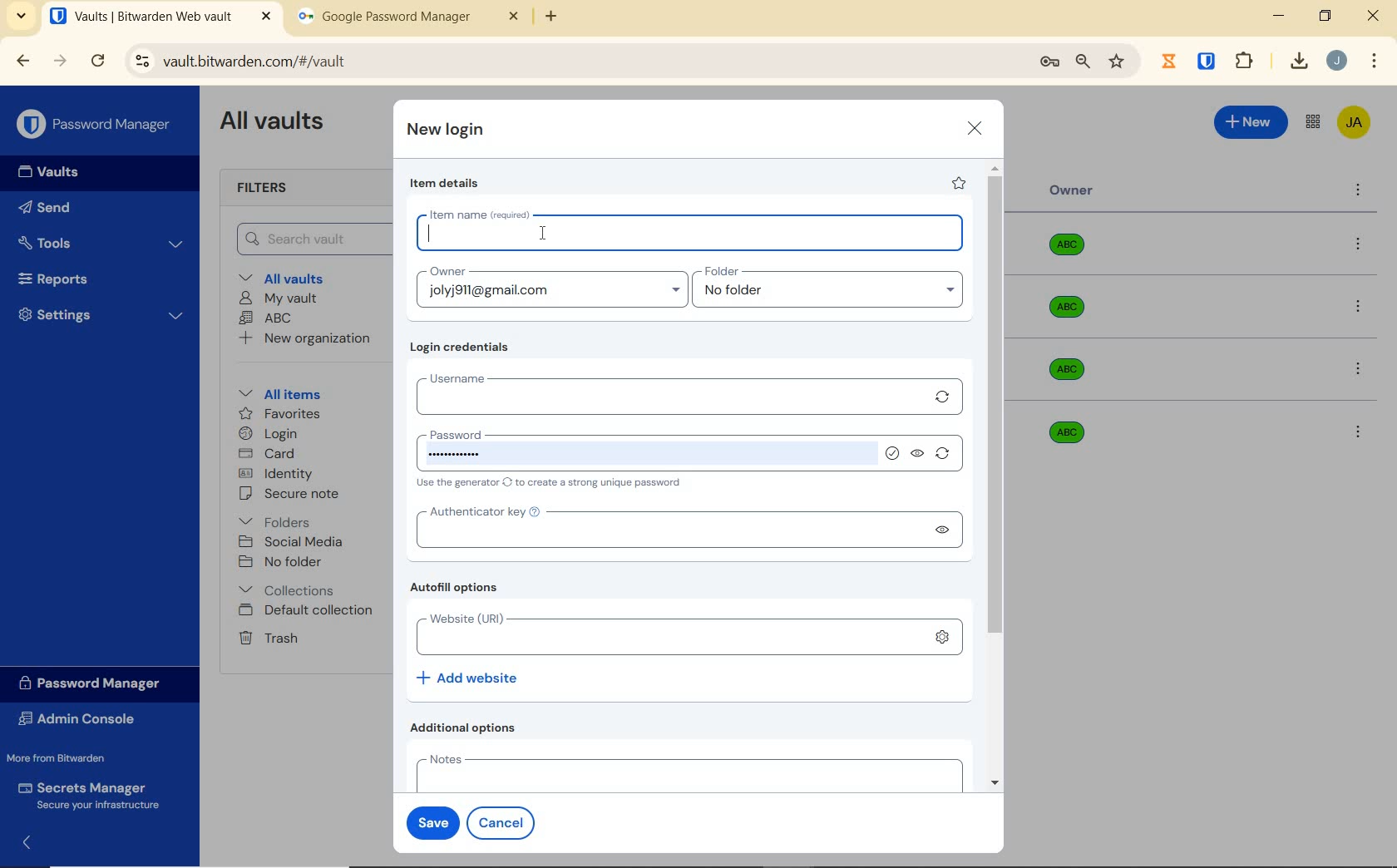  What do you see at coordinates (309, 611) in the screenshot?
I see `Default collection` at bounding box center [309, 611].